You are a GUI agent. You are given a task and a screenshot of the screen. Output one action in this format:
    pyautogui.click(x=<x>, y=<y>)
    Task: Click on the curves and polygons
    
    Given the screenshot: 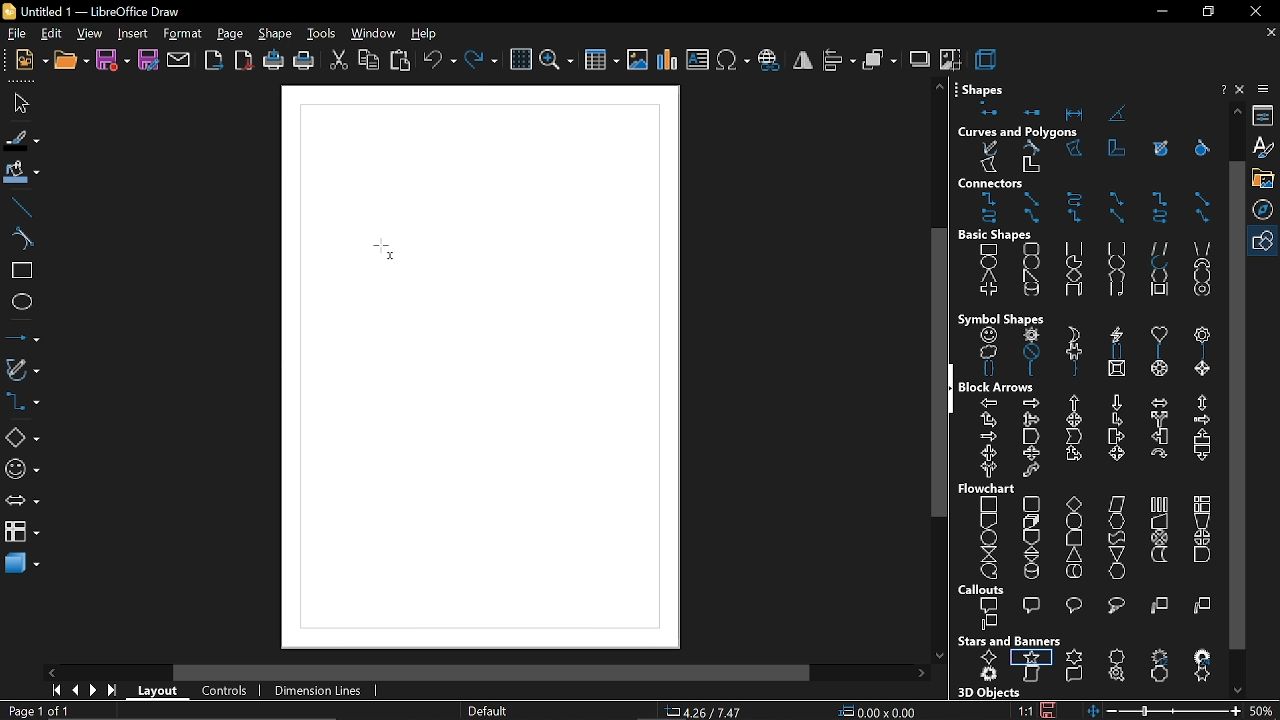 What is the action you would take?
    pyautogui.click(x=23, y=371)
    